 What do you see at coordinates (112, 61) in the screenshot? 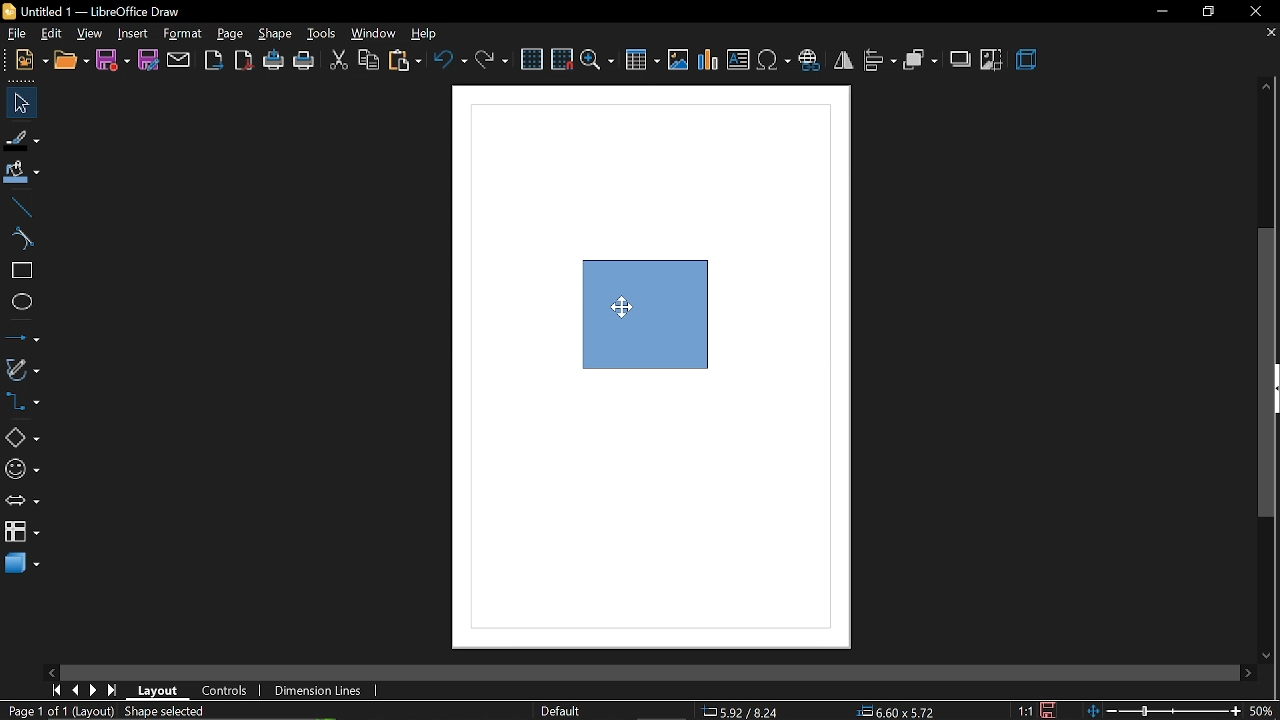
I see `save` at bounding box center [112, 61].